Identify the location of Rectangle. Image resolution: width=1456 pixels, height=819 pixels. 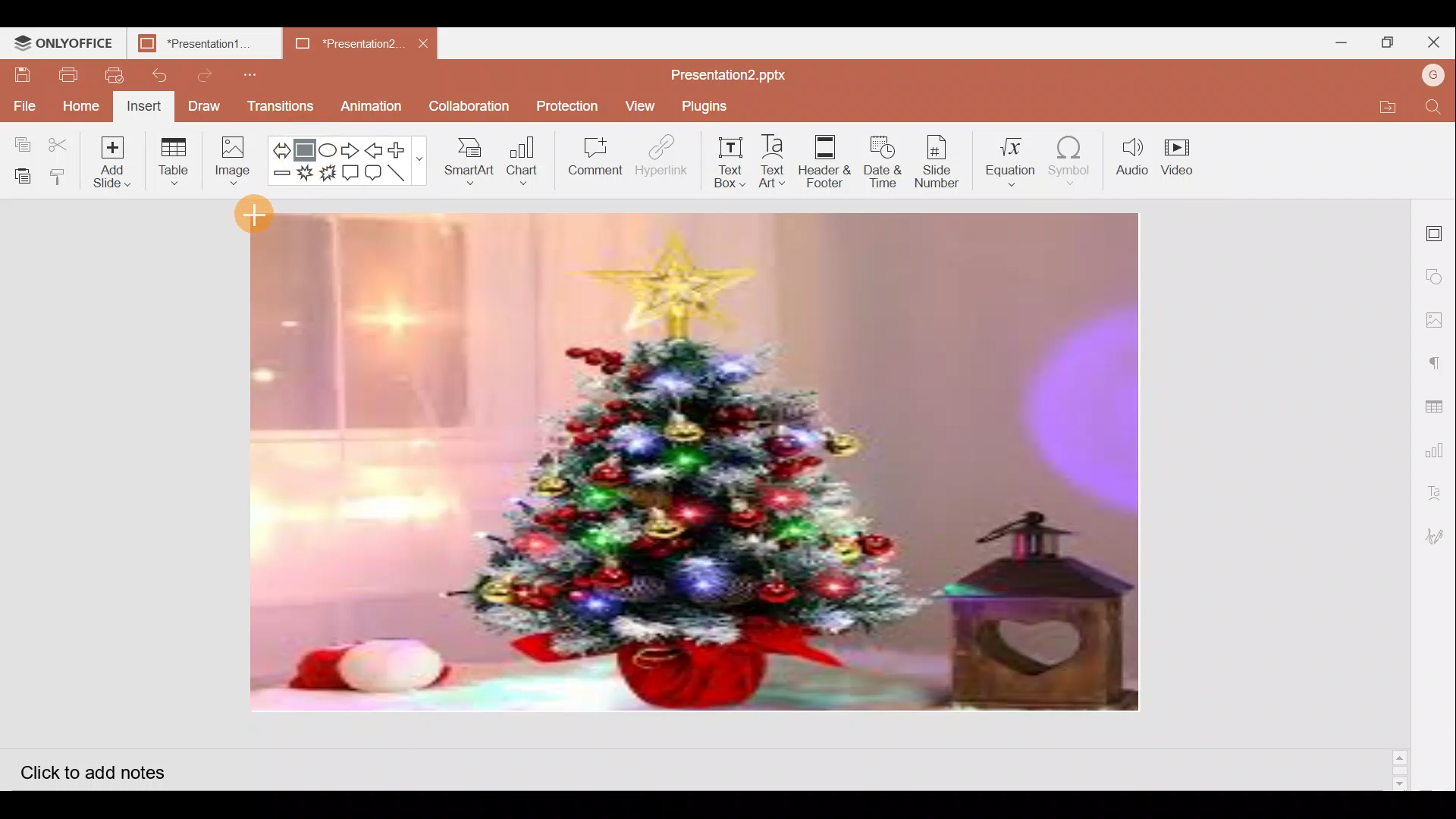
(309, 146).